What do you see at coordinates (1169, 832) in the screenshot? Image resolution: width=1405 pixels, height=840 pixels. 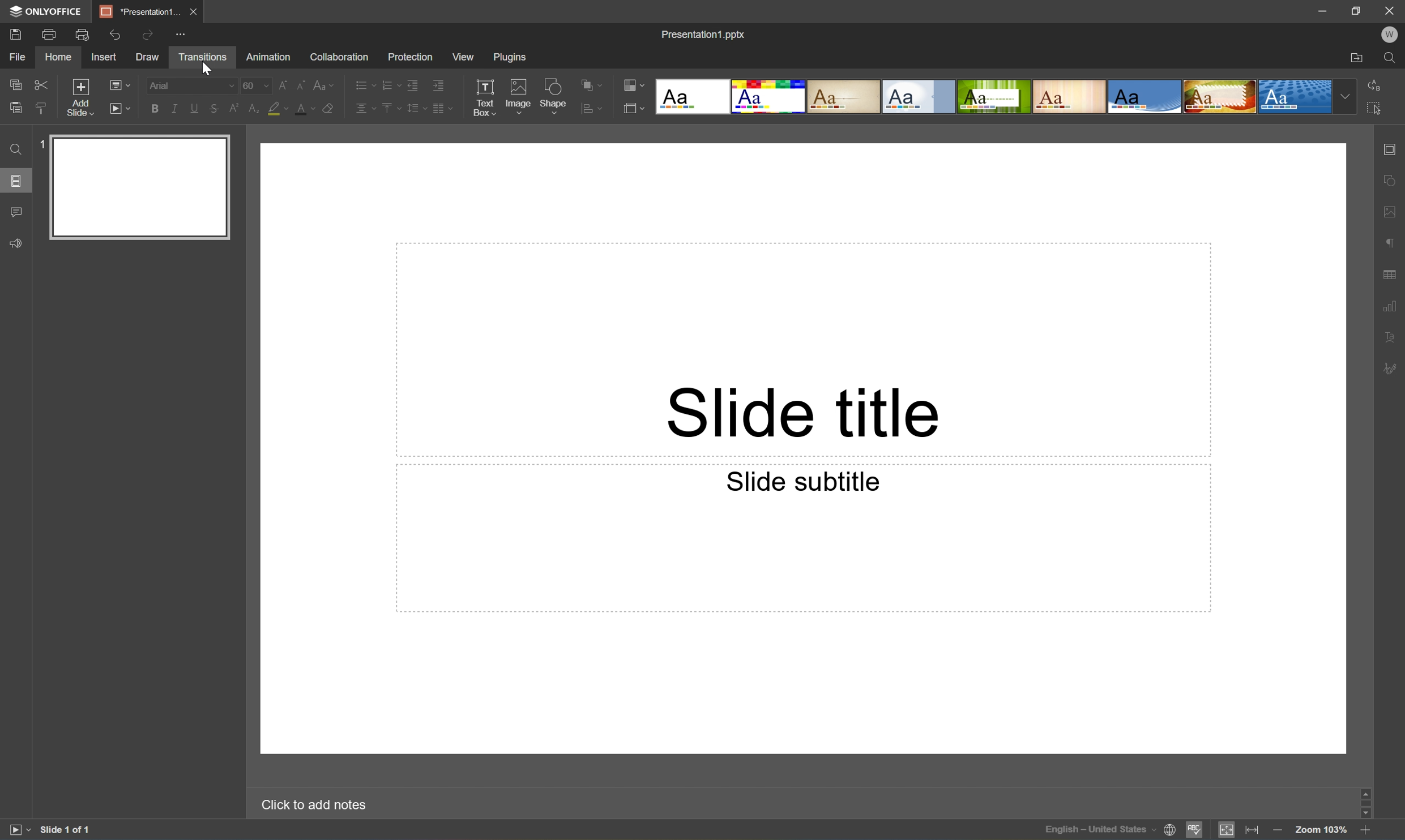 I see `Set document language` at bounding box center [1169, 832].